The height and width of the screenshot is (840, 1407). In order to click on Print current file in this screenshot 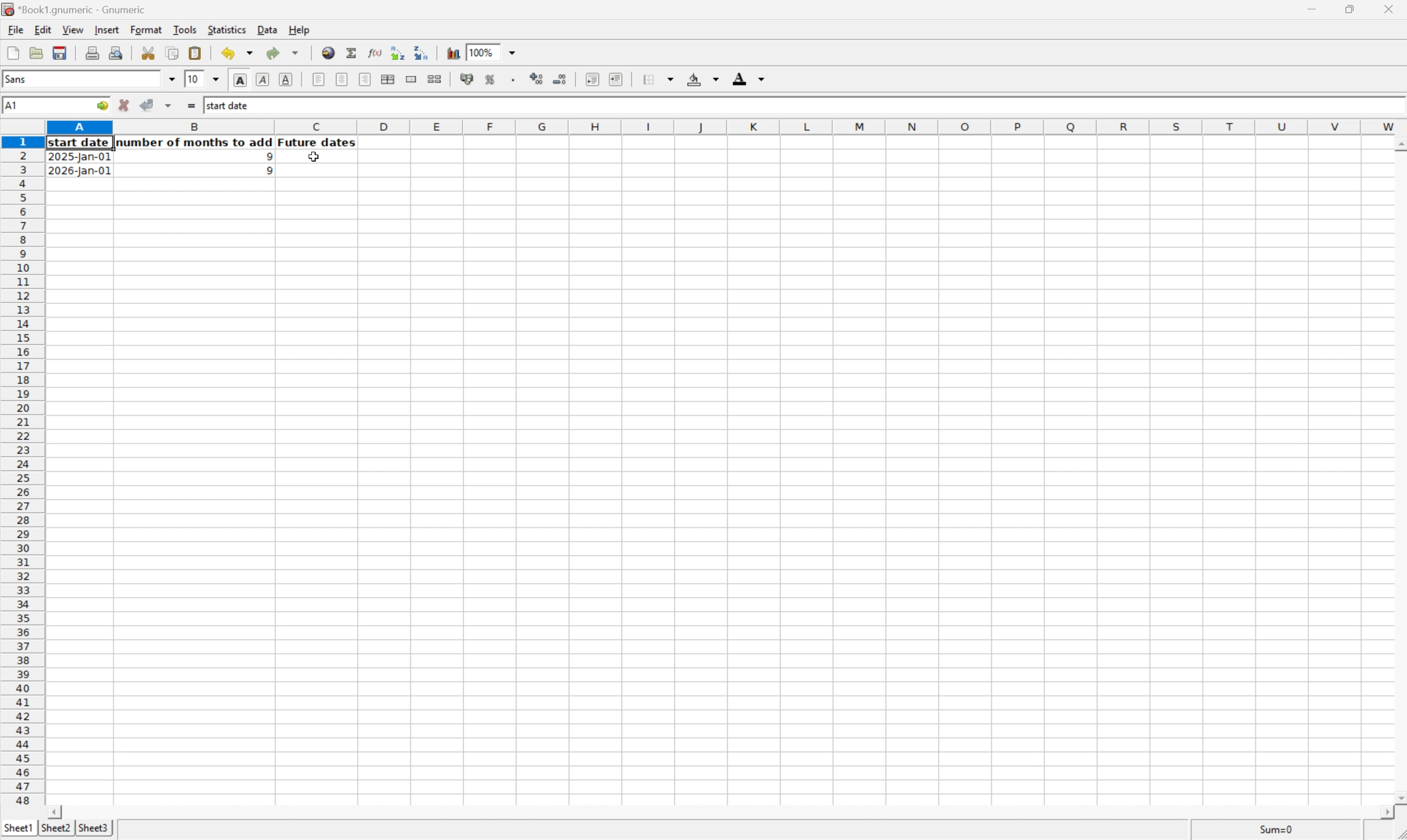, I will do `click(94, 53)`.